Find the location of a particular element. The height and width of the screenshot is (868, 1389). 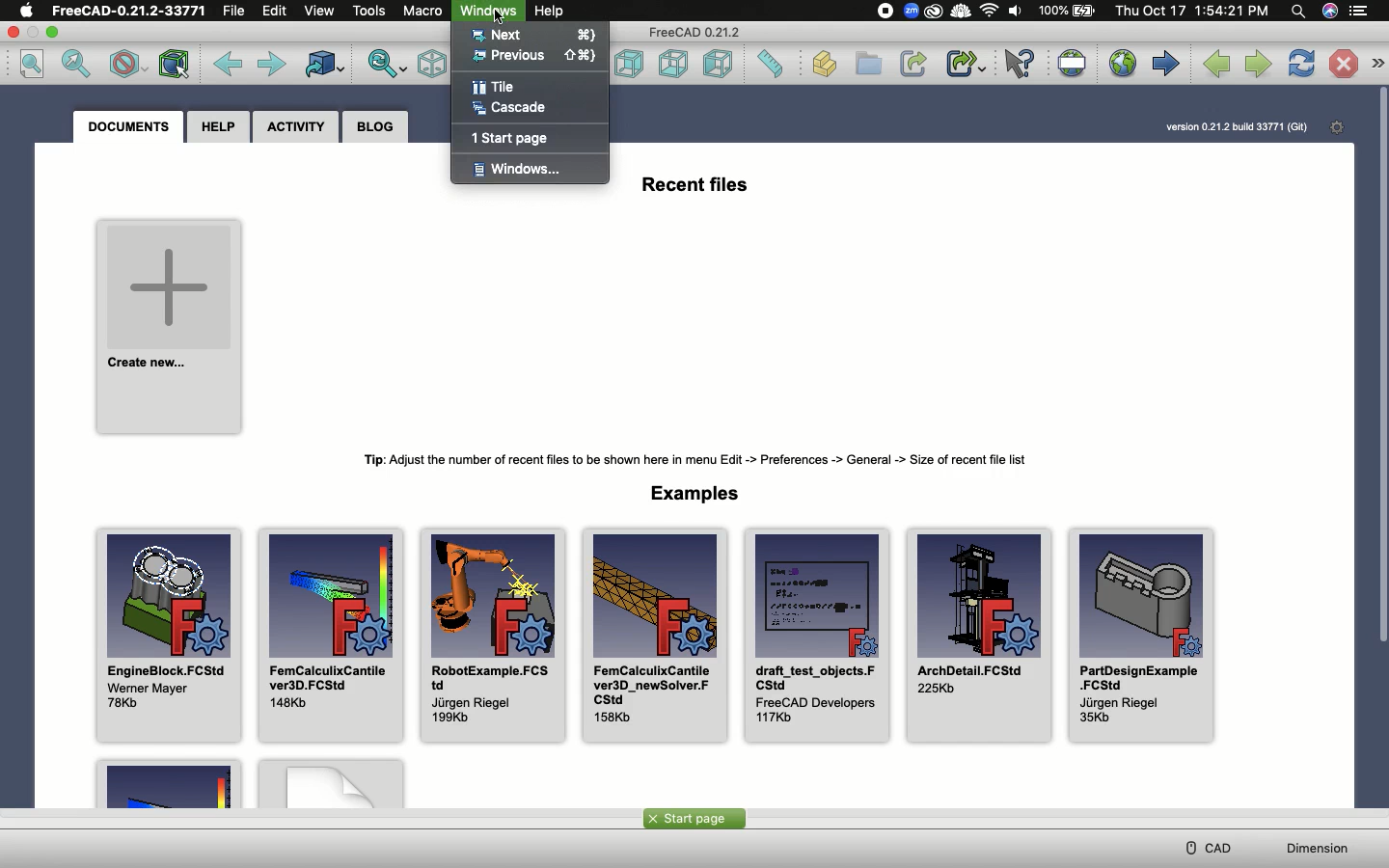

Zoom is located at coordinates (911, 11).